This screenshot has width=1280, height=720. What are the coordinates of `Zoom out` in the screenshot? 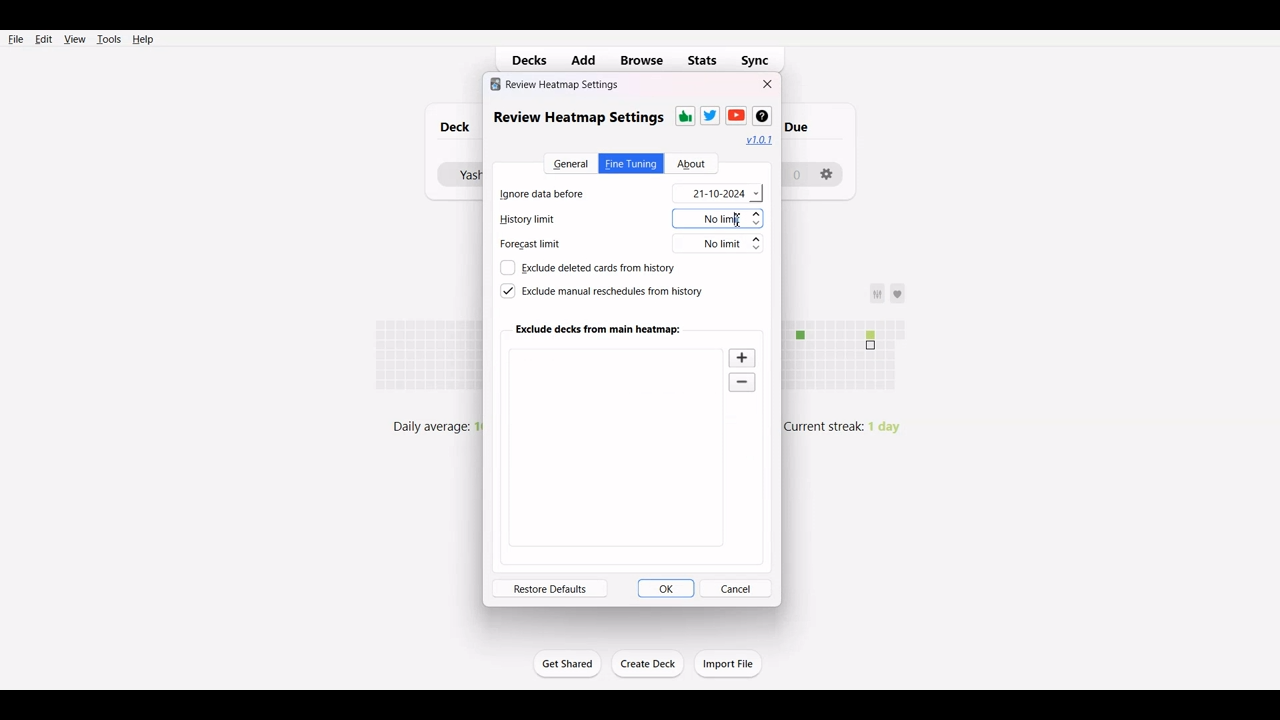 It's located at (744, 384).